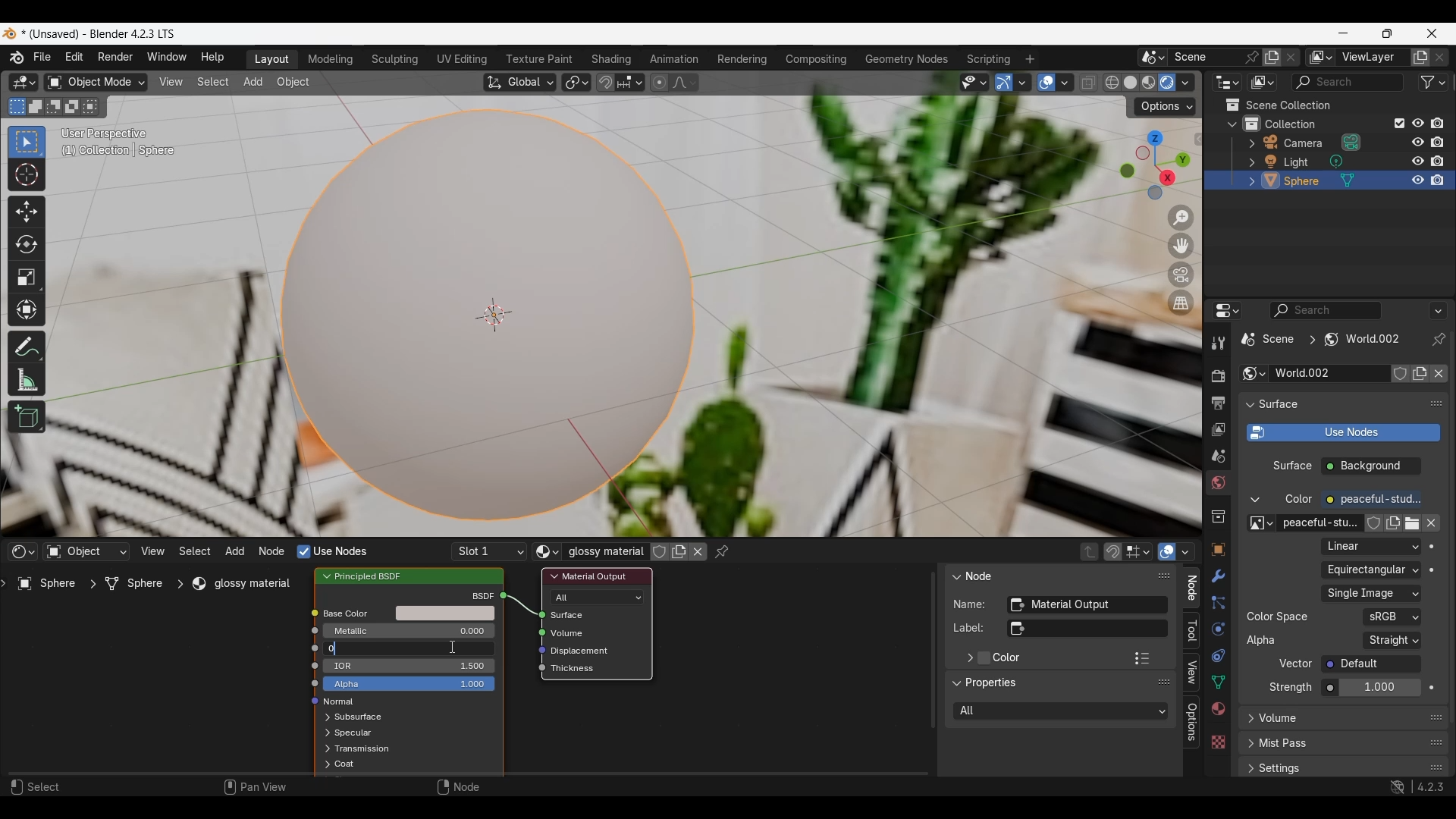 The image size is (1456, 819). Describe the element at coordinates (1304, 183) in the screenshot. I see `sphere` at that location.